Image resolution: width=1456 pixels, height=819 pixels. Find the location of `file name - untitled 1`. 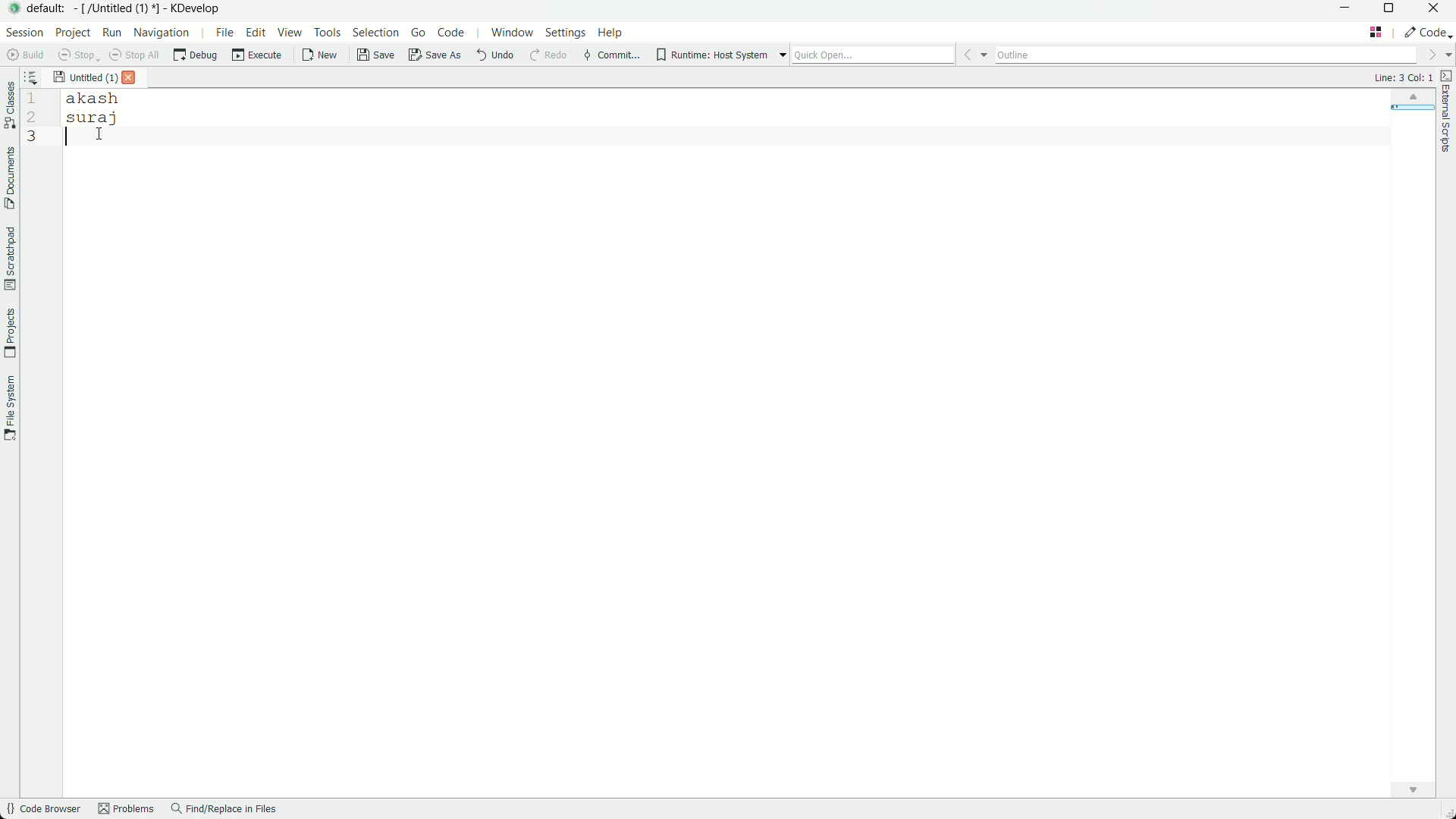

file name - untitled 1 is located at coordinates (85, 76).